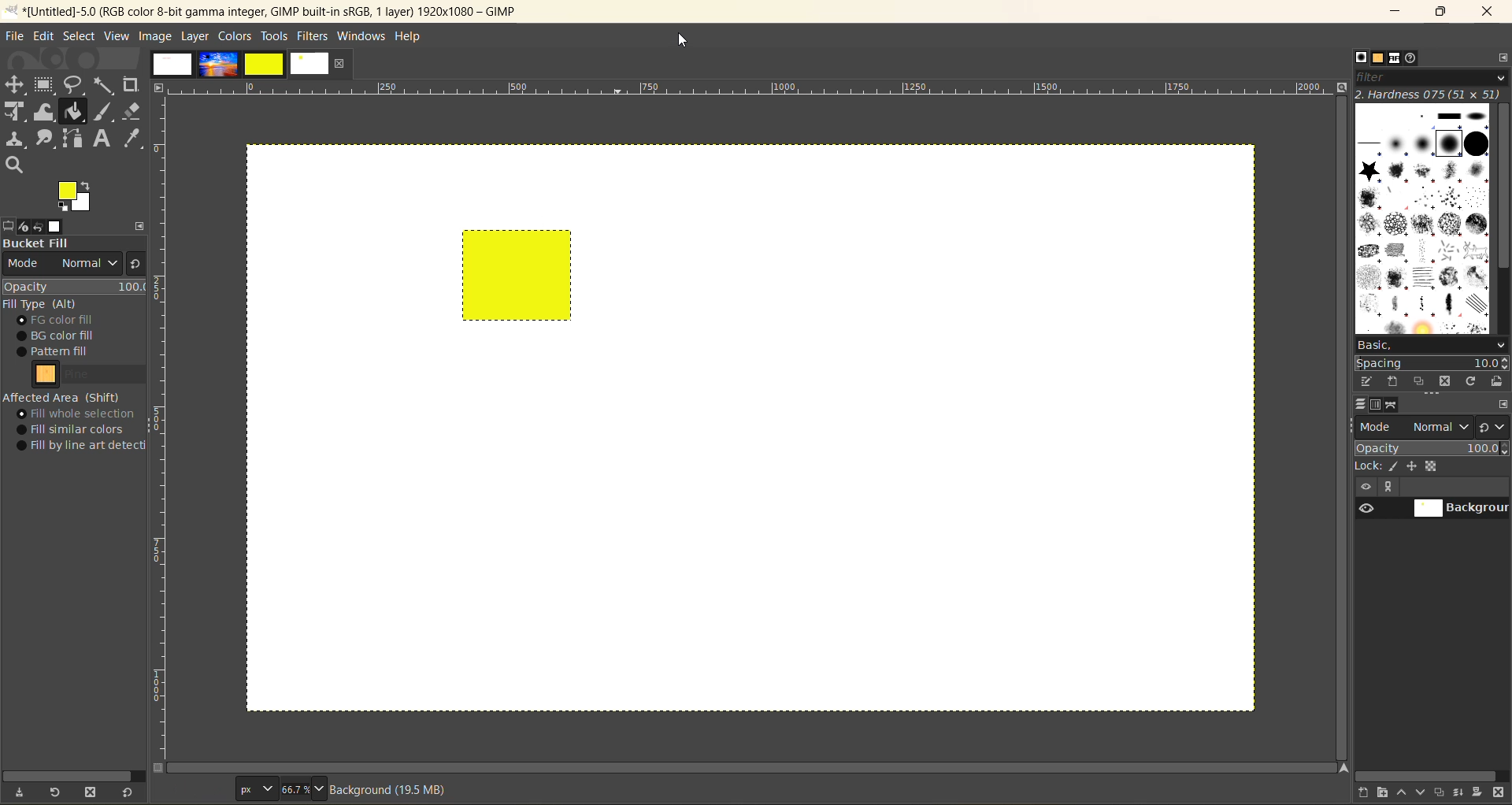 Image resolution: width=1512 pixels, height=805 pixels. I want to click on basic, so click(1435, 344).